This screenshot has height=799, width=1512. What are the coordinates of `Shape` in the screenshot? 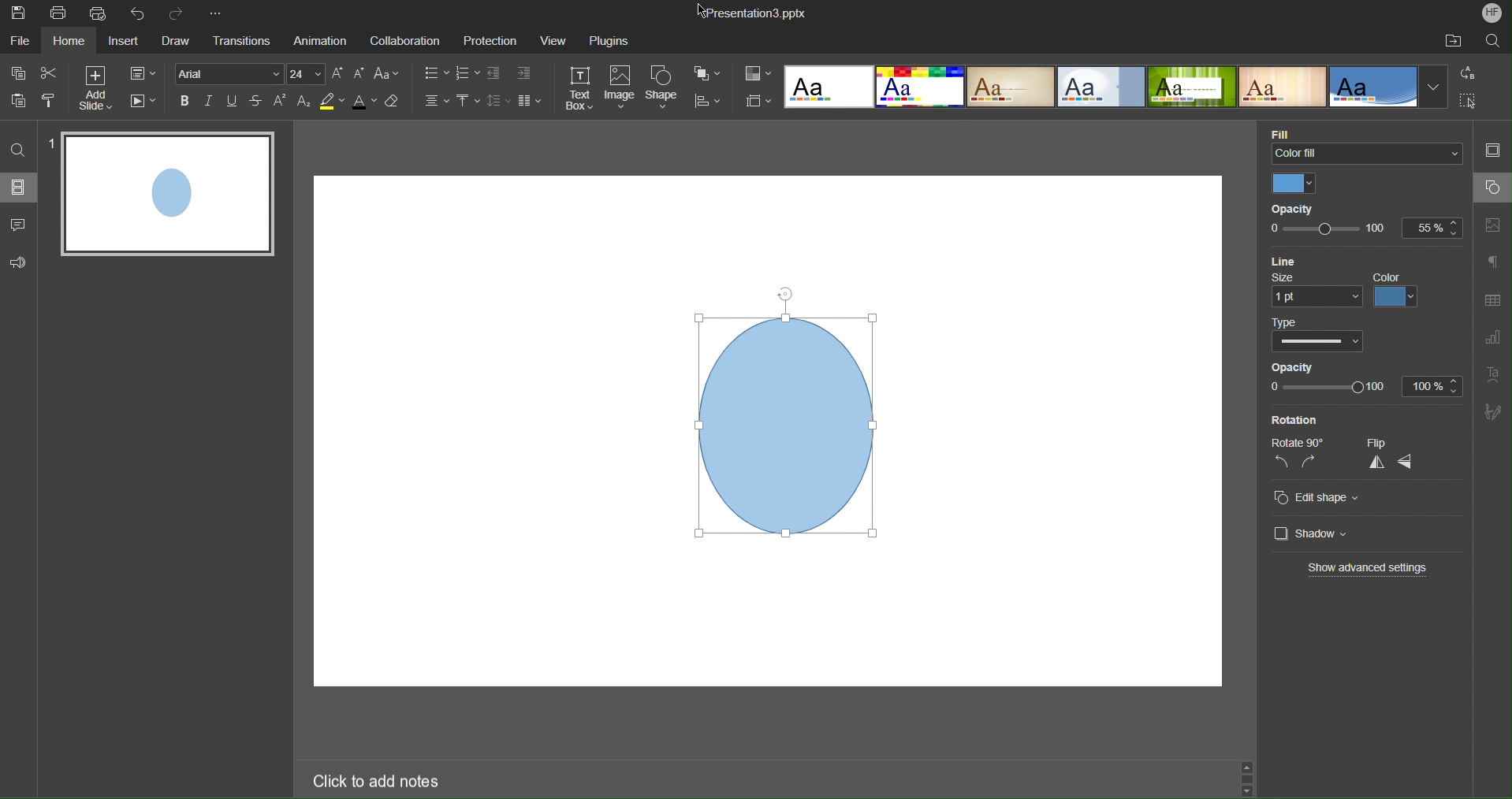 It's located at (665, 89).